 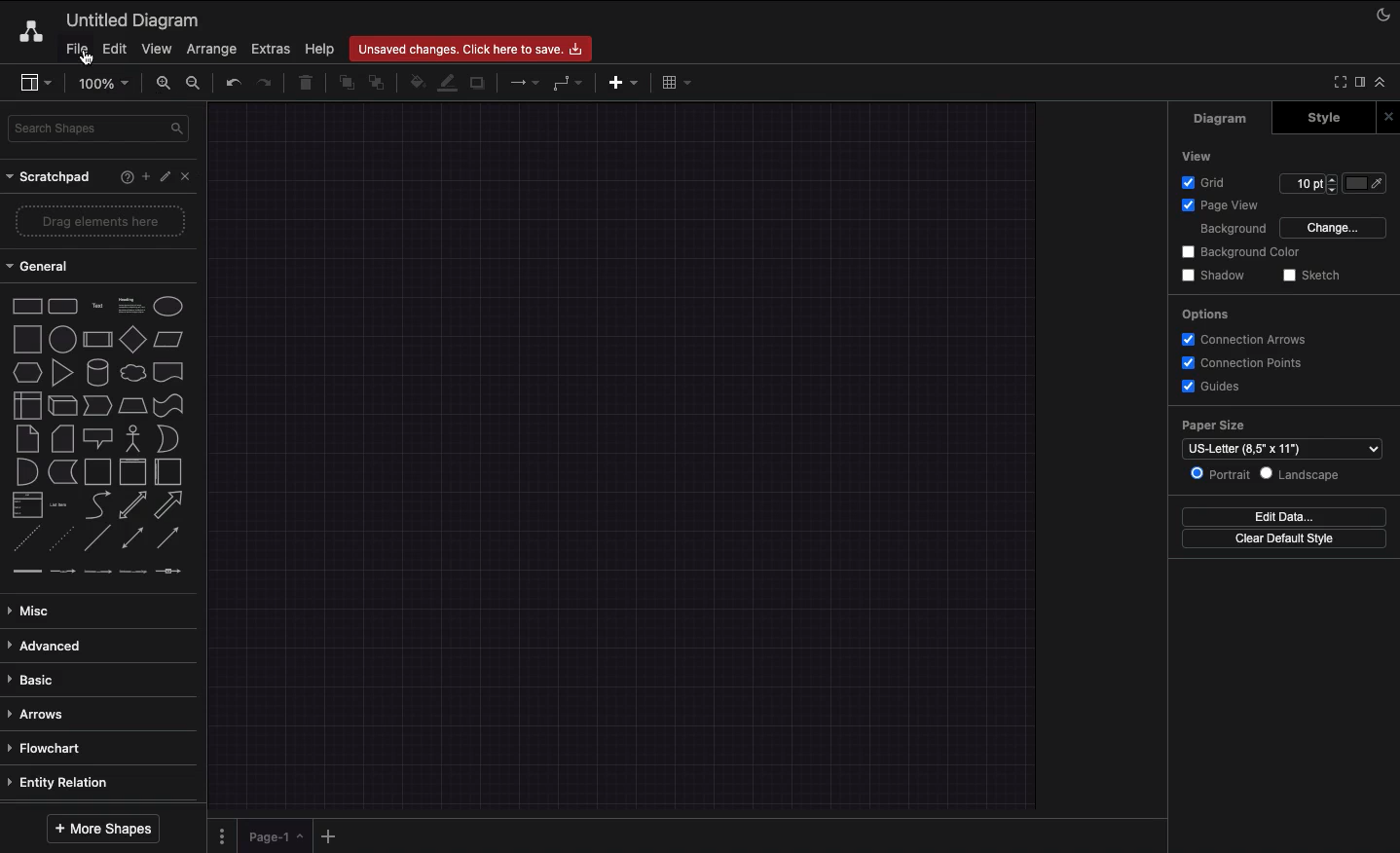 I want to click on Add, so click(x=145, y=175).